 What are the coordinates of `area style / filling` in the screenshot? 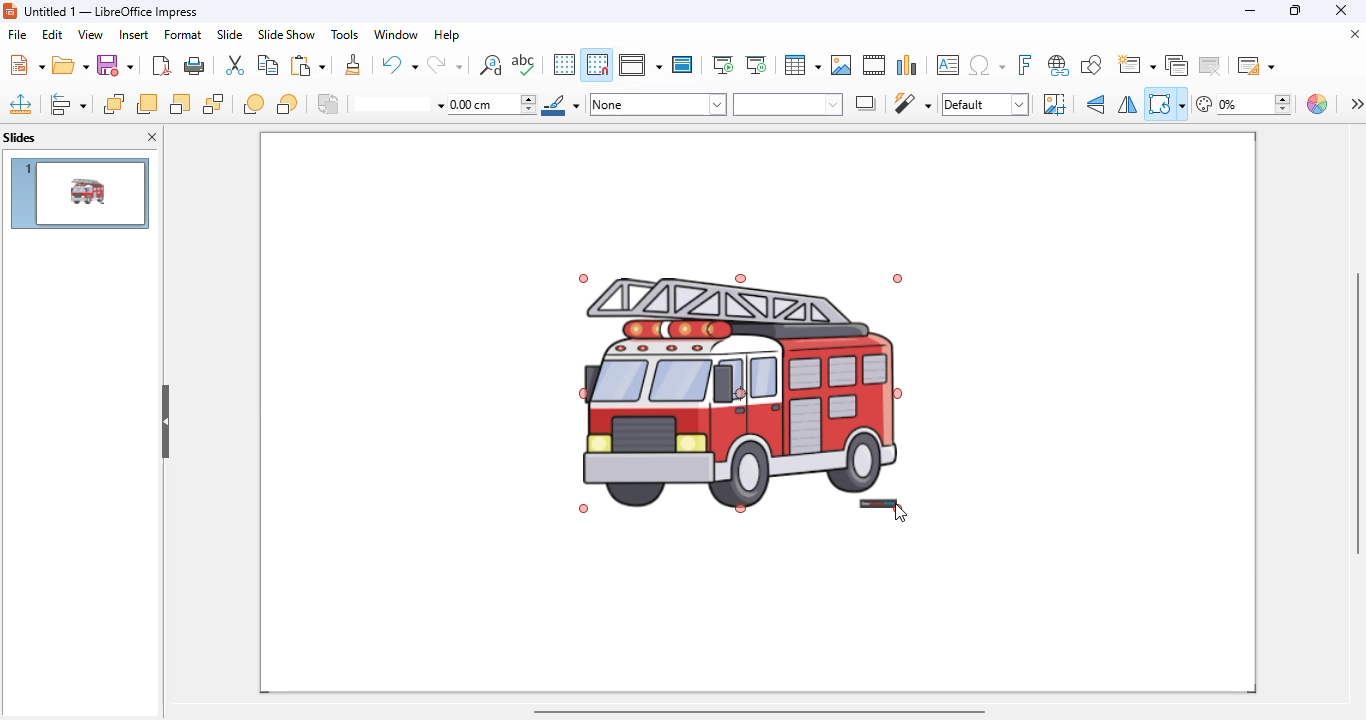 It's located at (788, 104).